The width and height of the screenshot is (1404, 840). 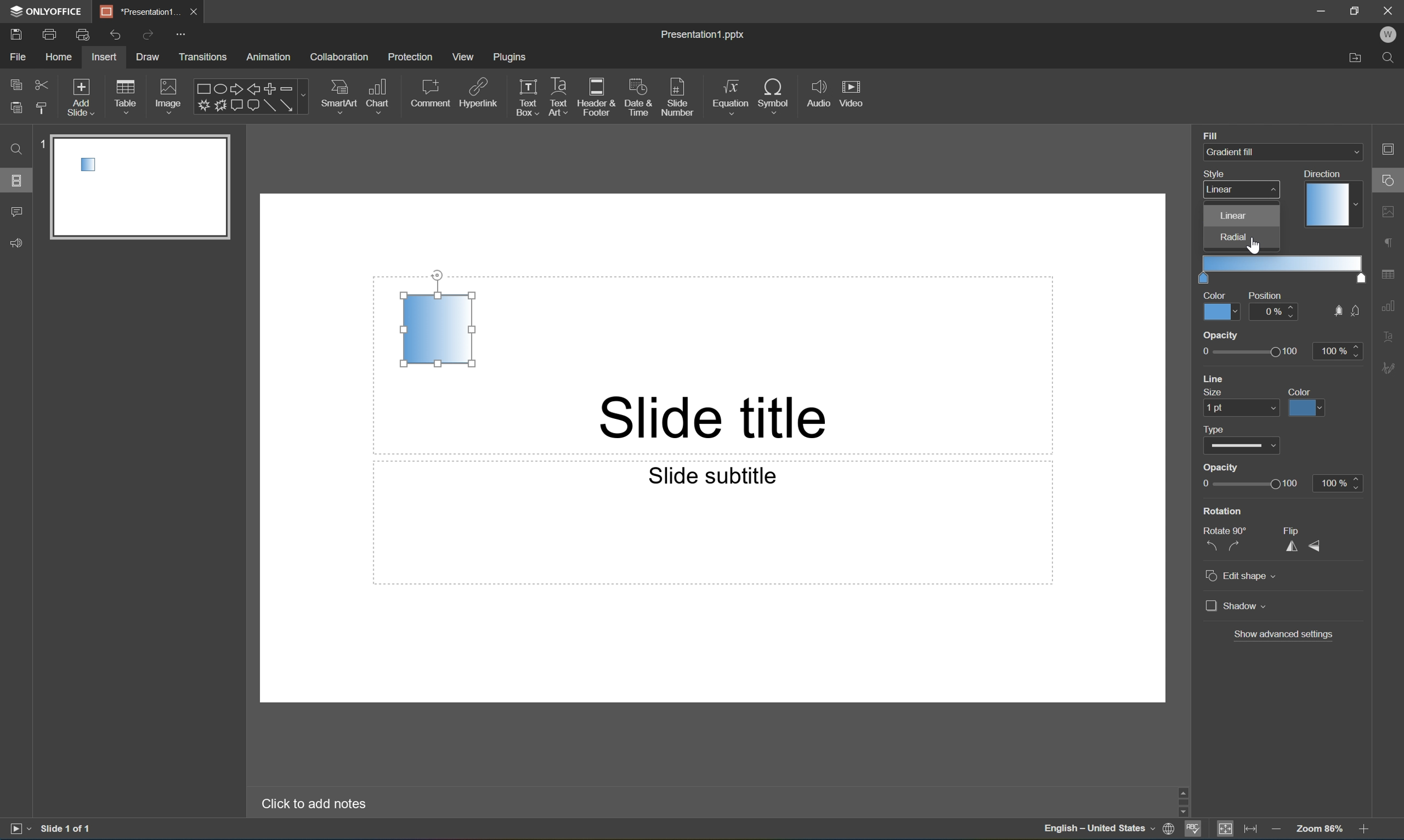 What do you see at coordinates (52, 33) in the screenshot?
I see `Print file` at bounding box center [52, 33].